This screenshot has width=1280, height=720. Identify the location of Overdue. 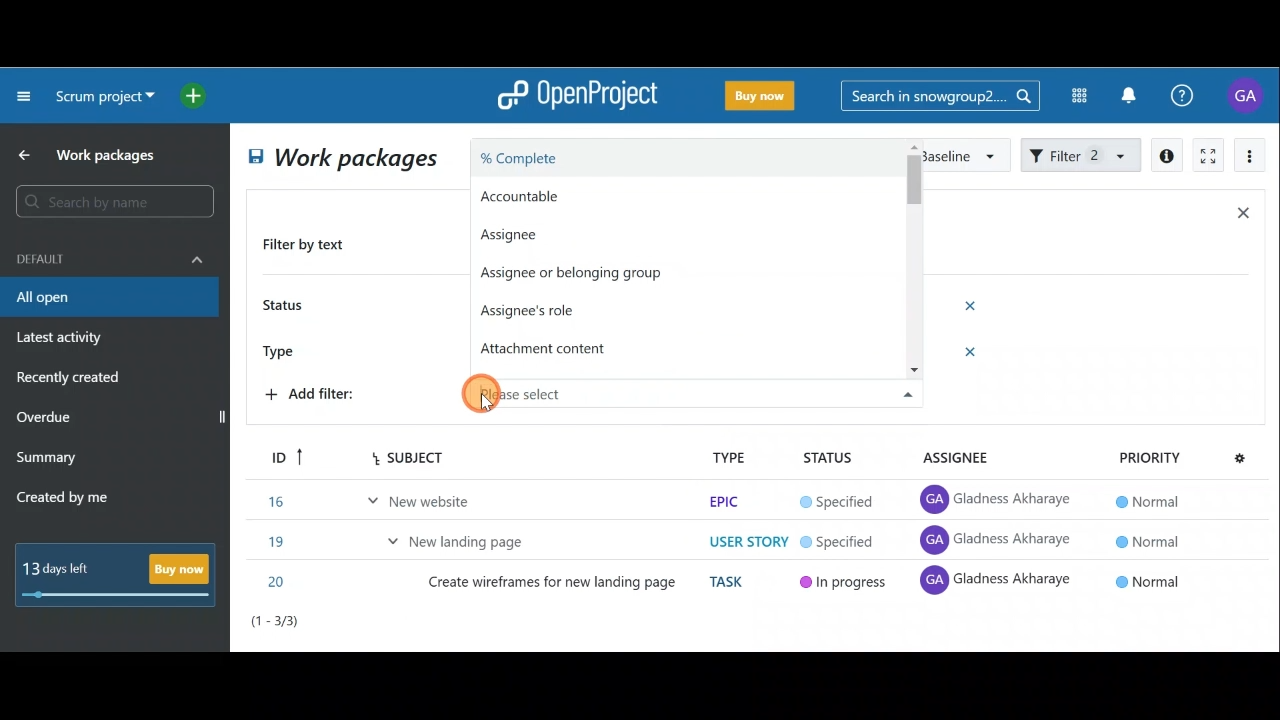
(46, 419).